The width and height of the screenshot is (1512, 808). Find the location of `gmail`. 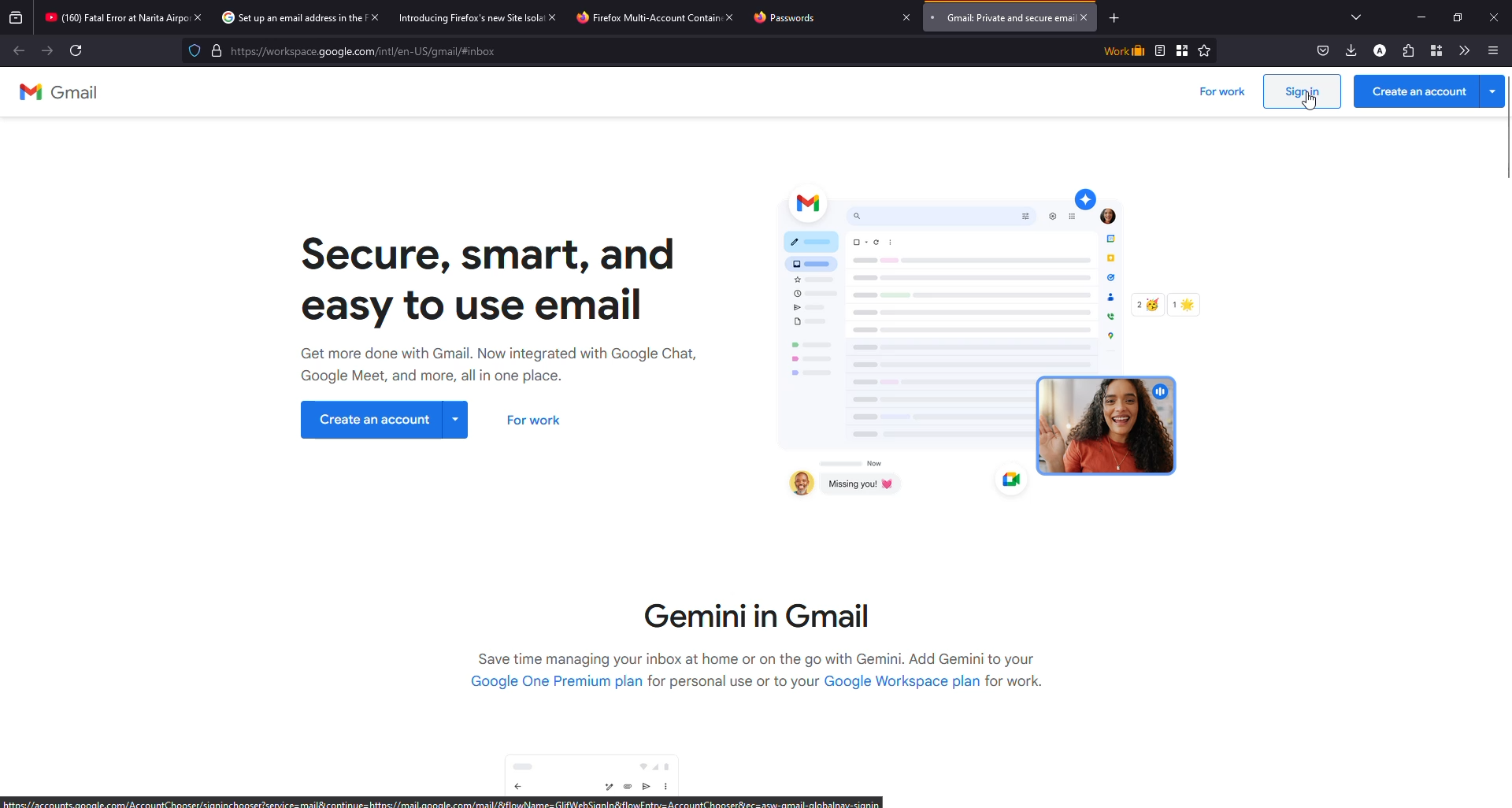

gmail is located at coordinates (58, 92).